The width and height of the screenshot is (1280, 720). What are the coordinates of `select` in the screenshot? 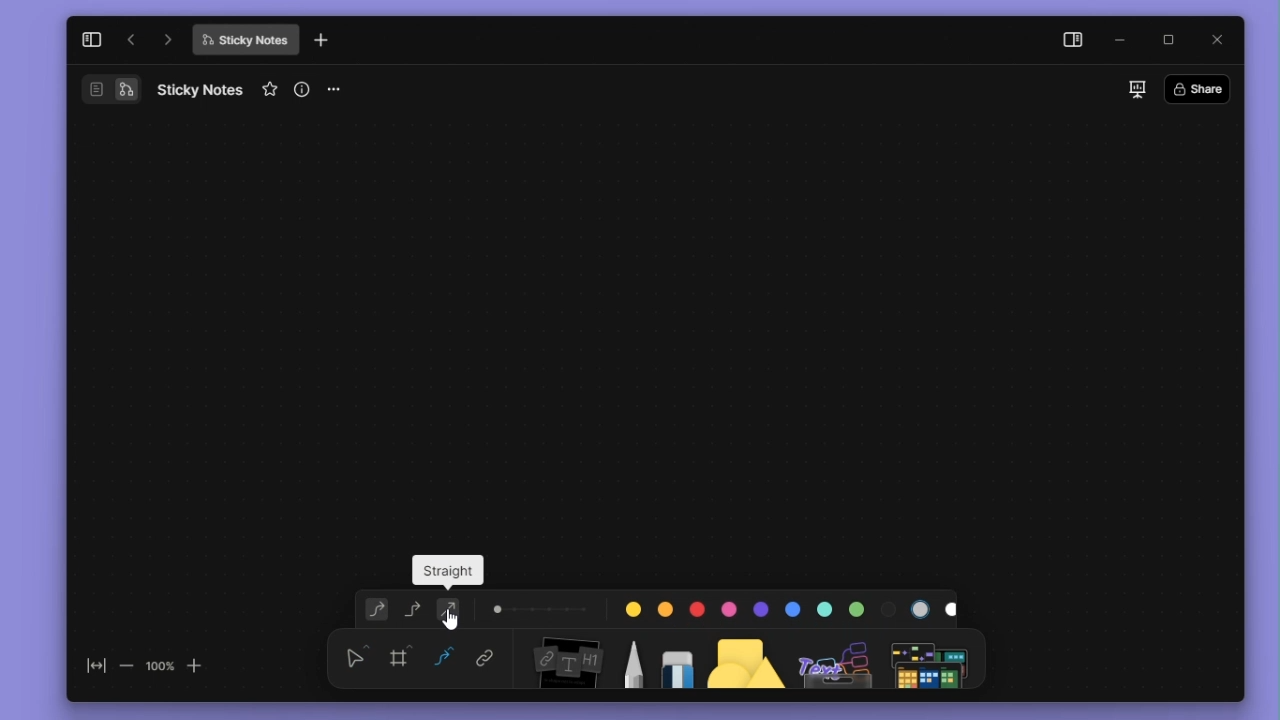 It's located at (356, 656).